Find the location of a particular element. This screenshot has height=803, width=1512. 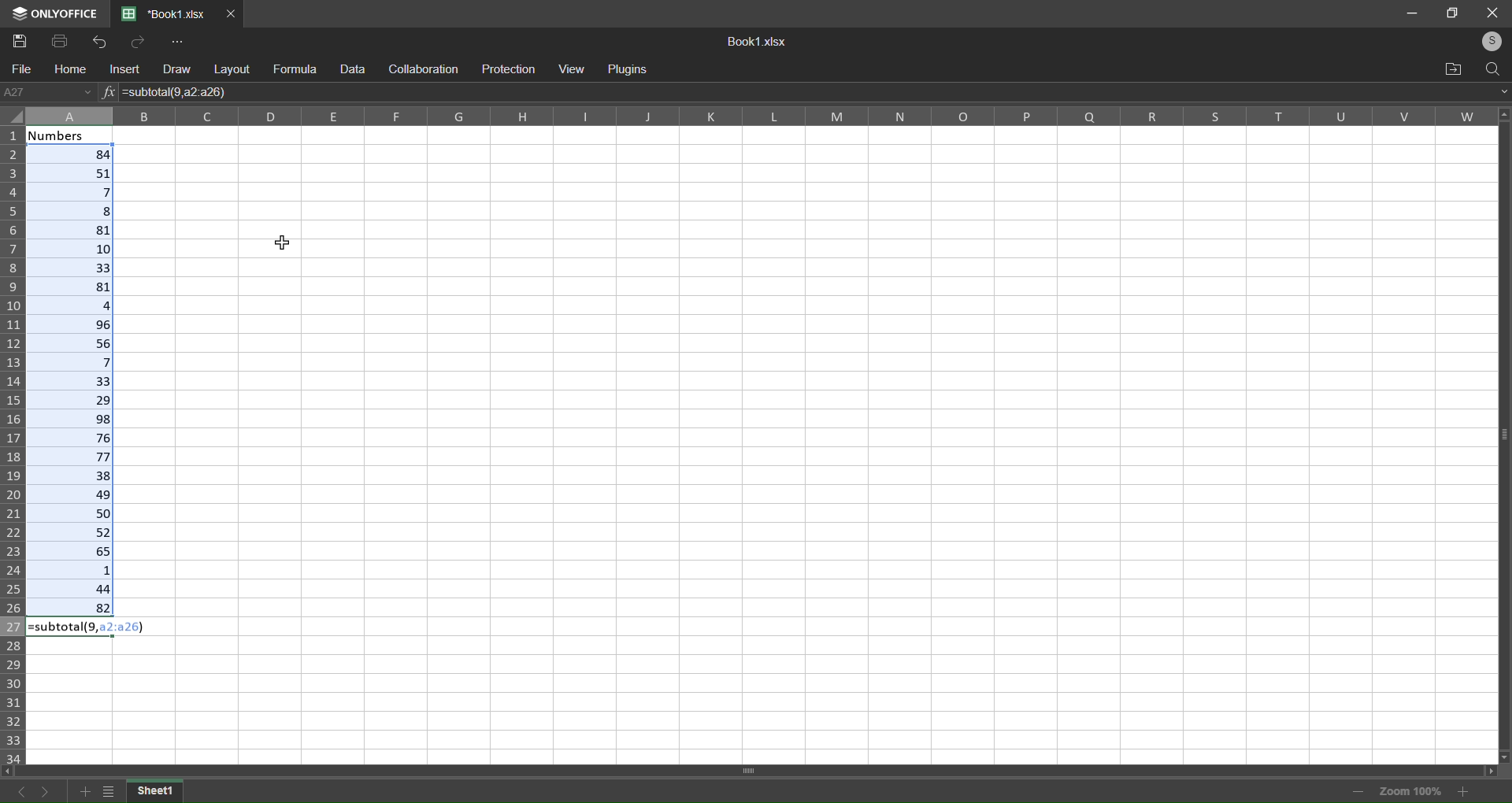

draw is located at coordinates (175, 69).